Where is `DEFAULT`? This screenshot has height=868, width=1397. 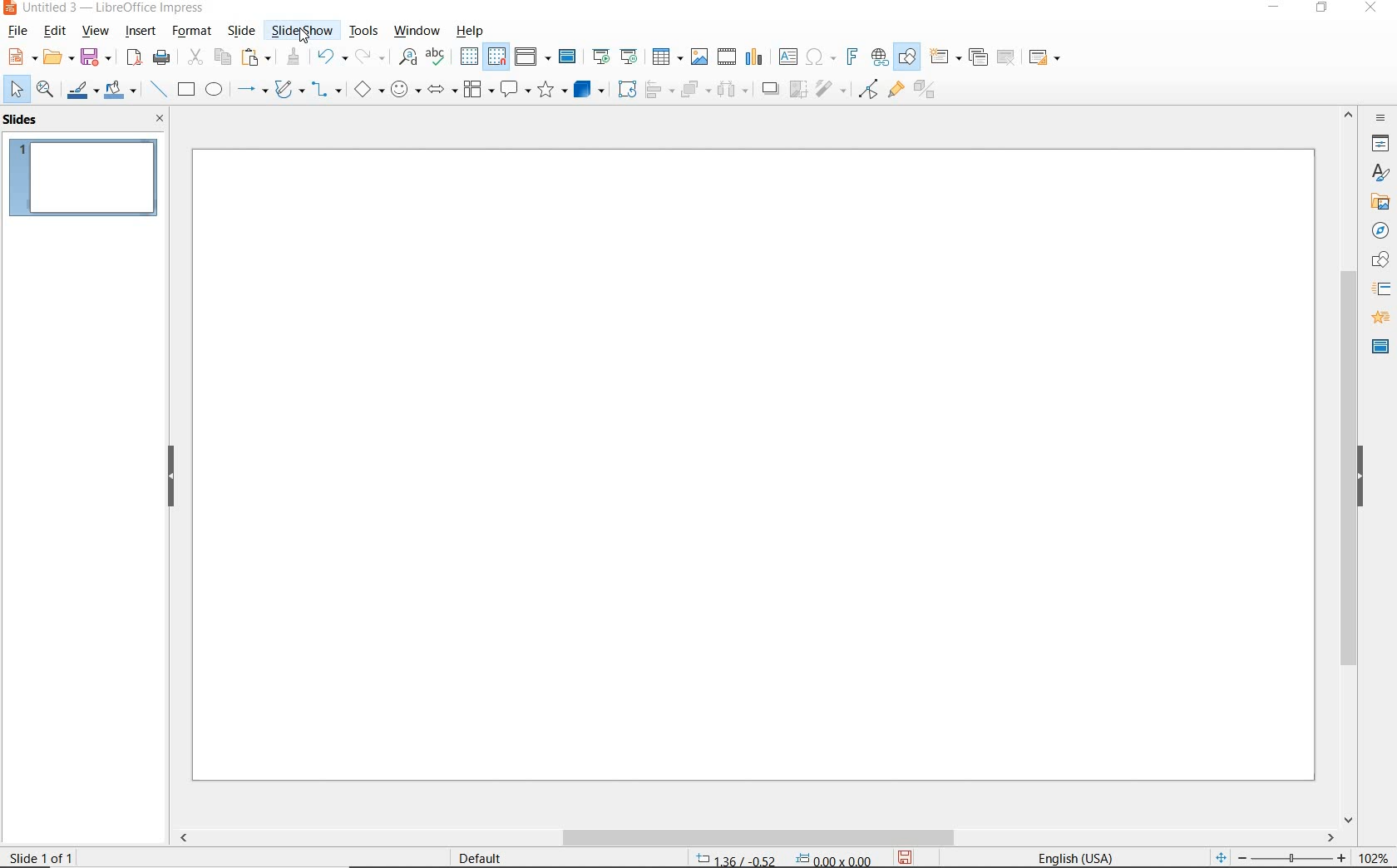
DEFAULT is located at coordinates (486, 856).